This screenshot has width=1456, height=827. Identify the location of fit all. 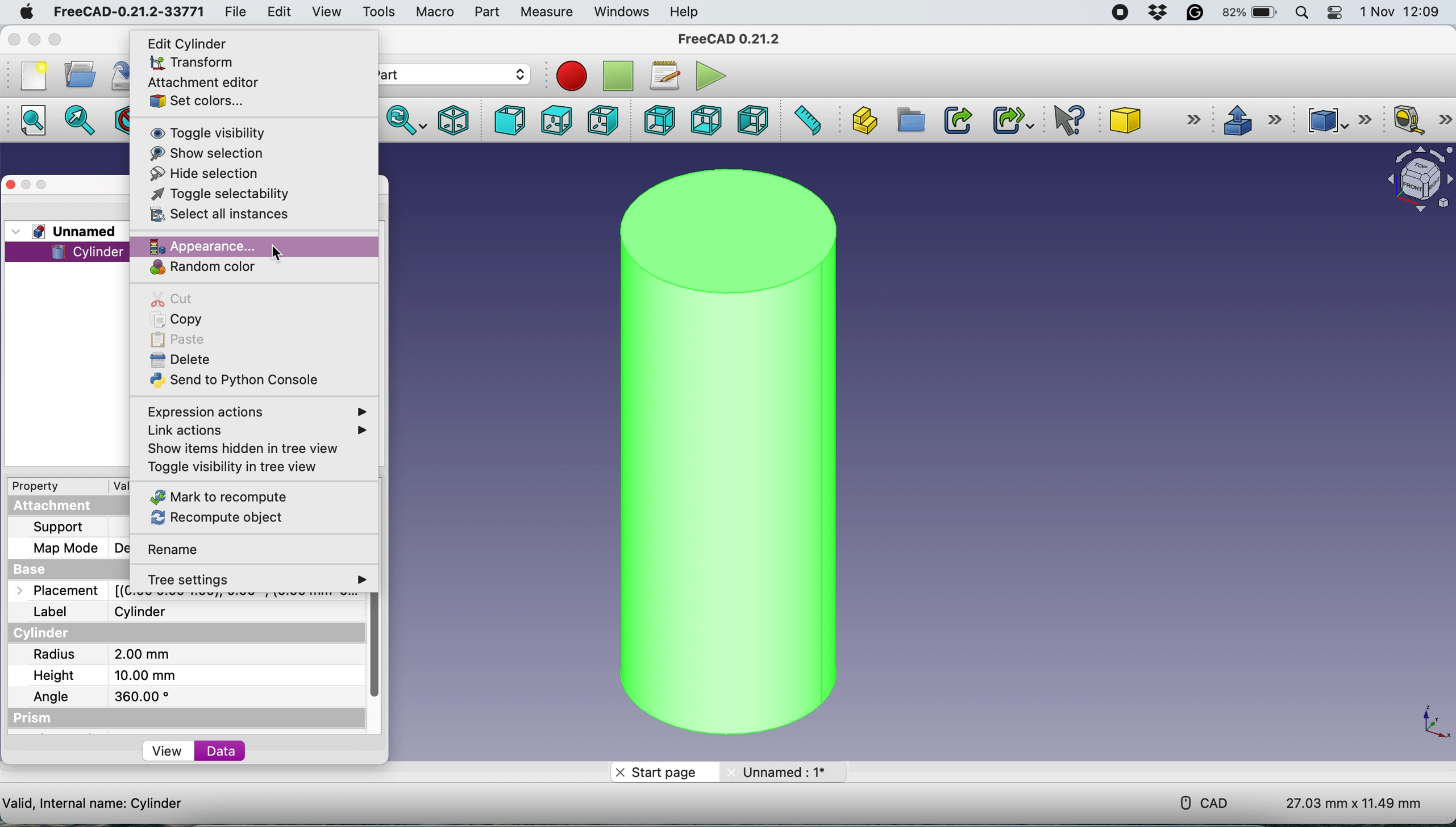
(30, 124).